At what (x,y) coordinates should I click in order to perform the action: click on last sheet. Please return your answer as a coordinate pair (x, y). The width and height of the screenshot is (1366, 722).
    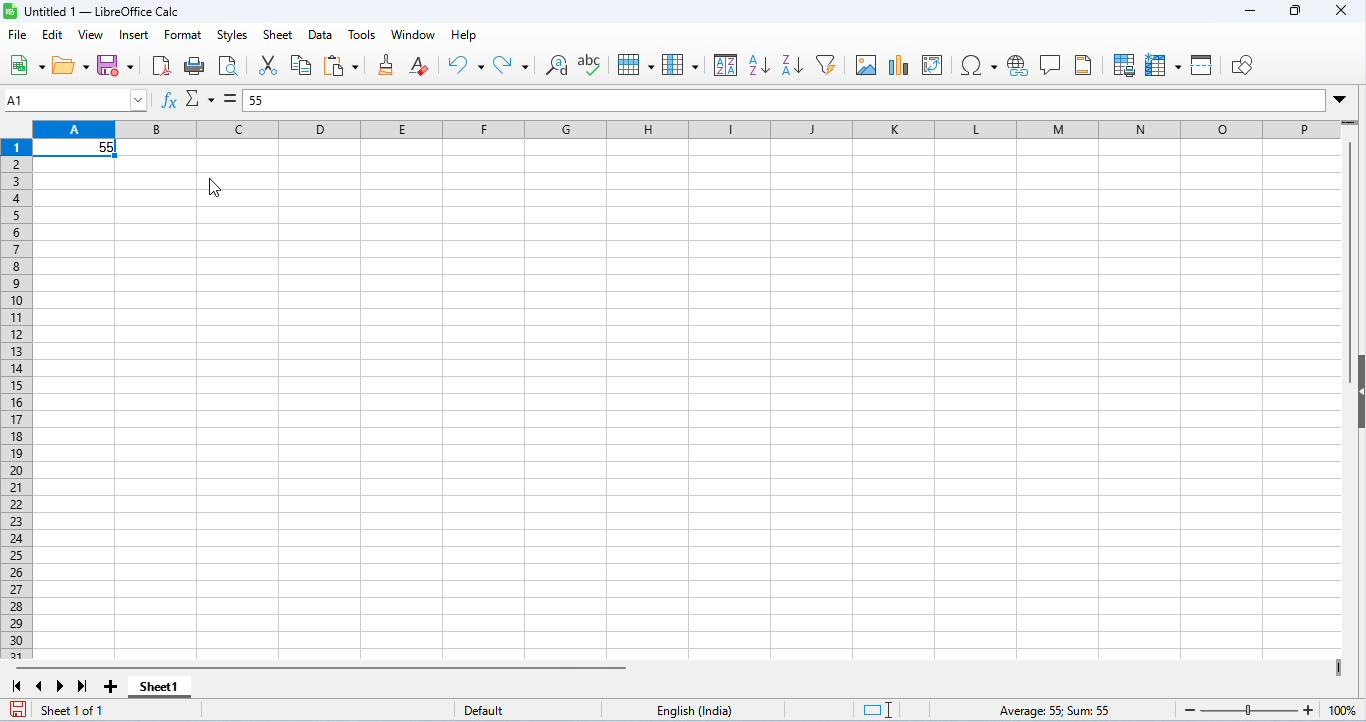
    Looking at the image, I should click on (81, 686).